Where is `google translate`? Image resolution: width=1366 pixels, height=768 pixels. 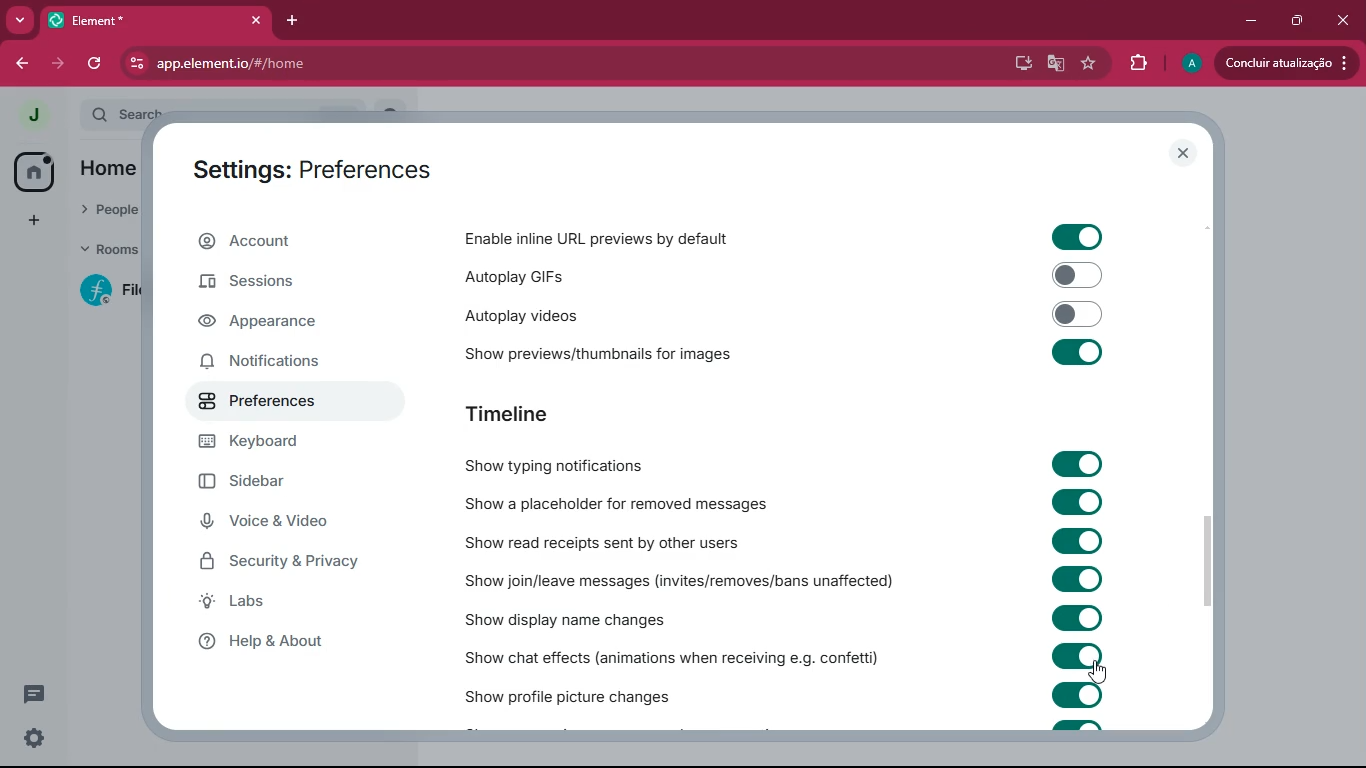
google translate is located at coordinates (1054, 66).